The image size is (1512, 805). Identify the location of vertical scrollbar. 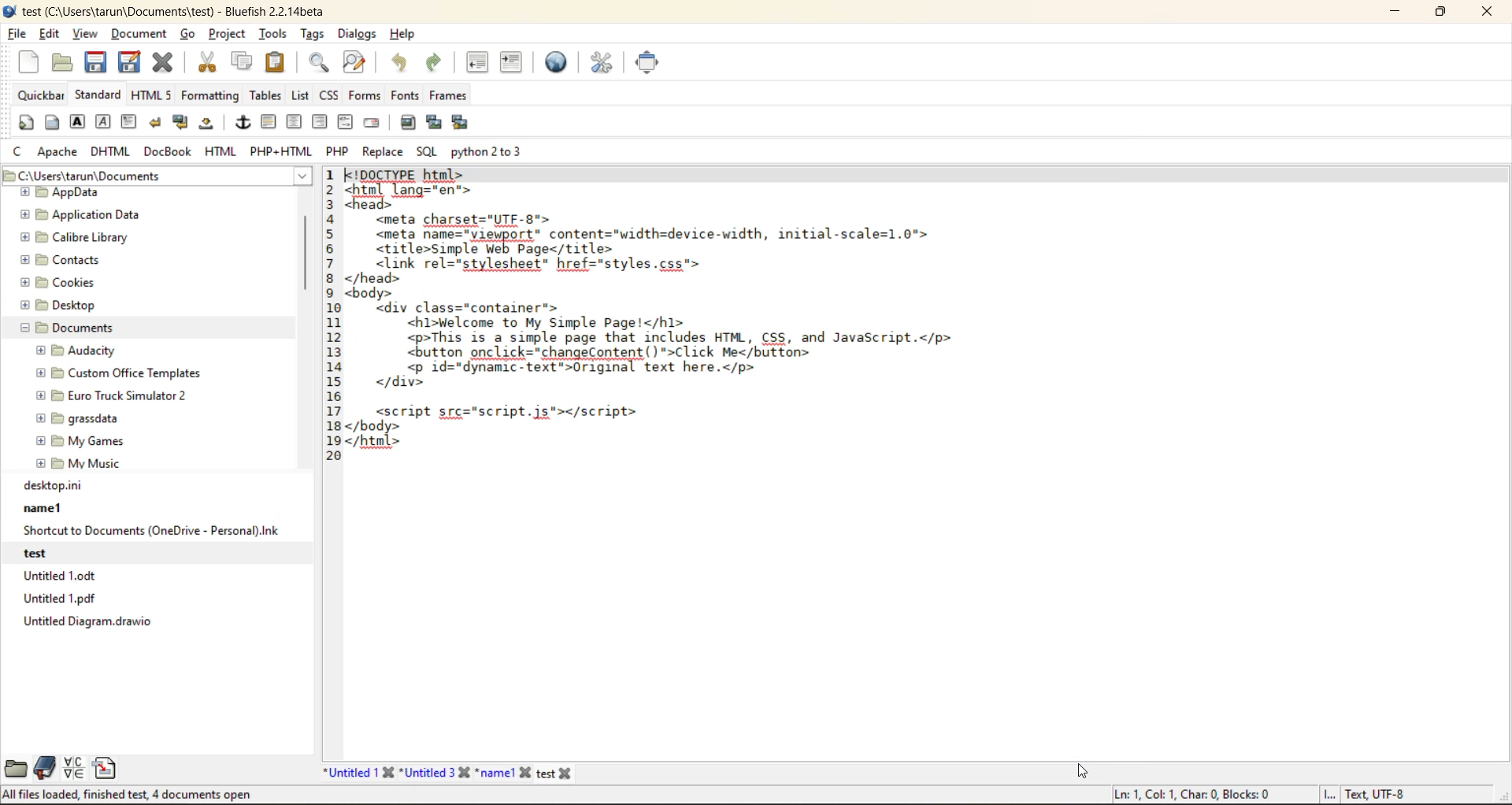
(1500, 463).